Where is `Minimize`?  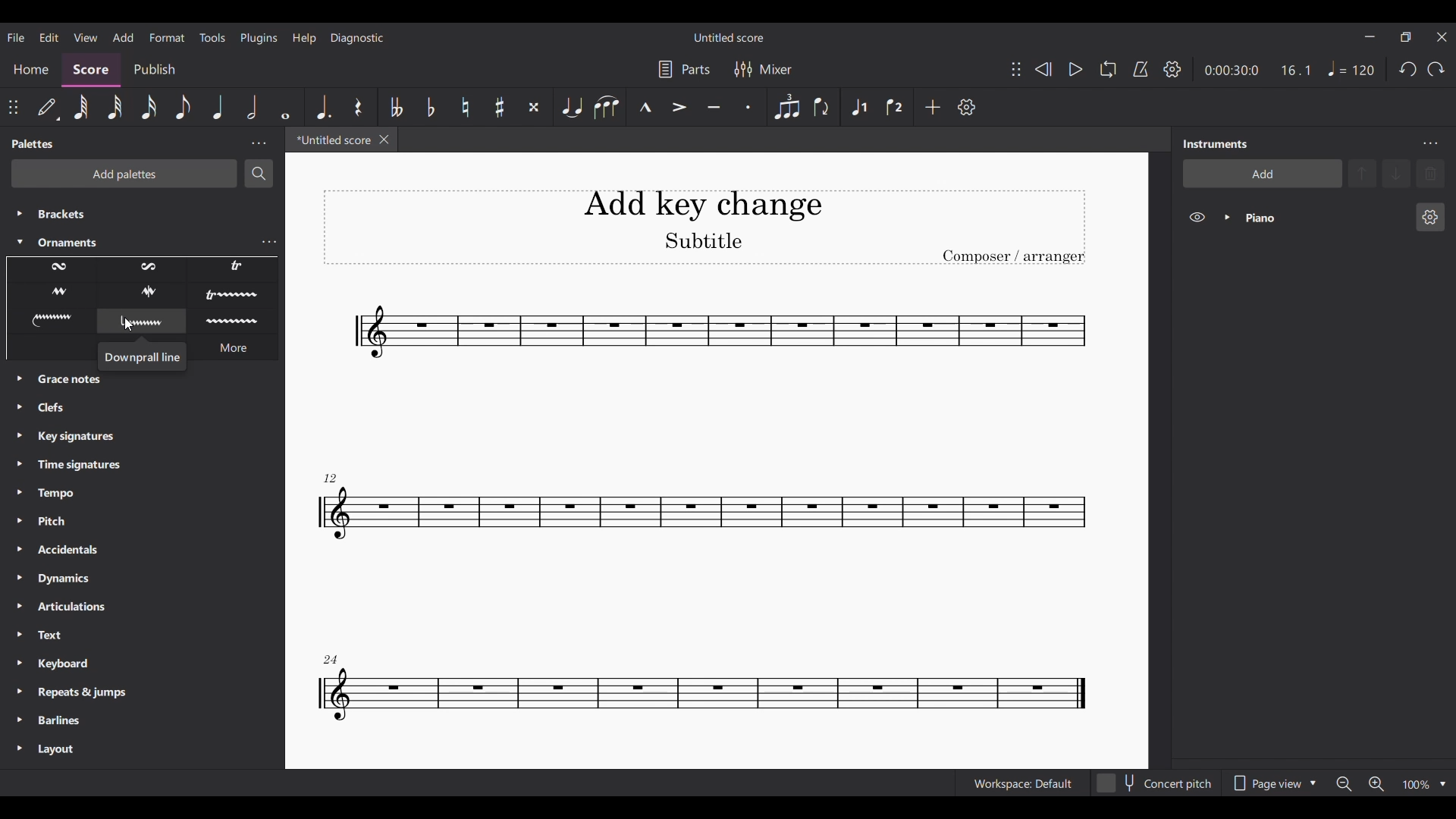 Minimize is located at coordinates (1370, 36).